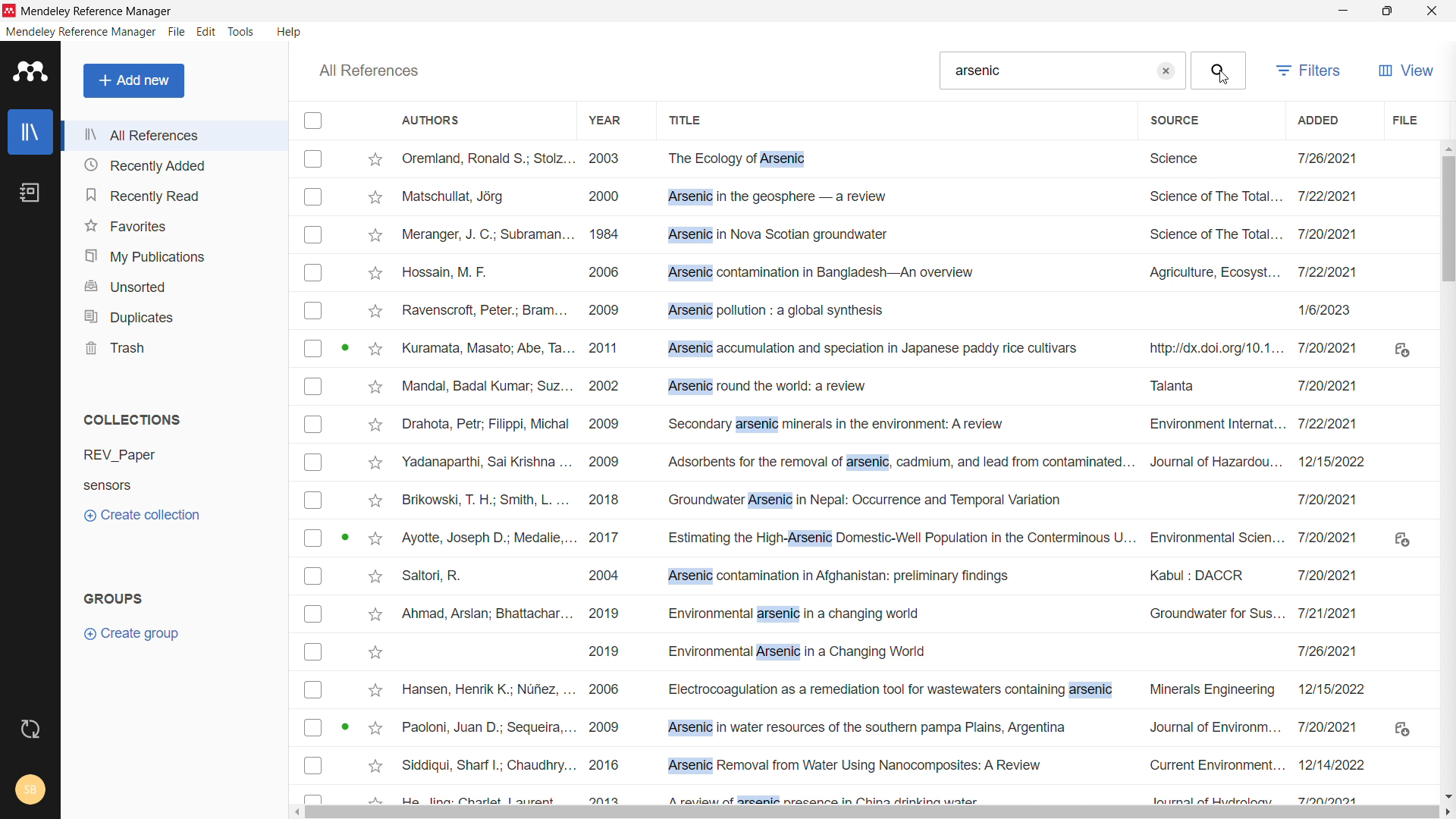 Image resolution: width=1456 pixels, height=819 pixels. What do you see at coordinates (902, 234) in the screenshot?
I see `Gsede Wenten, |; Friatnasa... 2020 Extractive membrane bioreactor (EMBR): Recent advances and applications Bioresource Technol... 1:13 PM` at bounding box center [902, 234].